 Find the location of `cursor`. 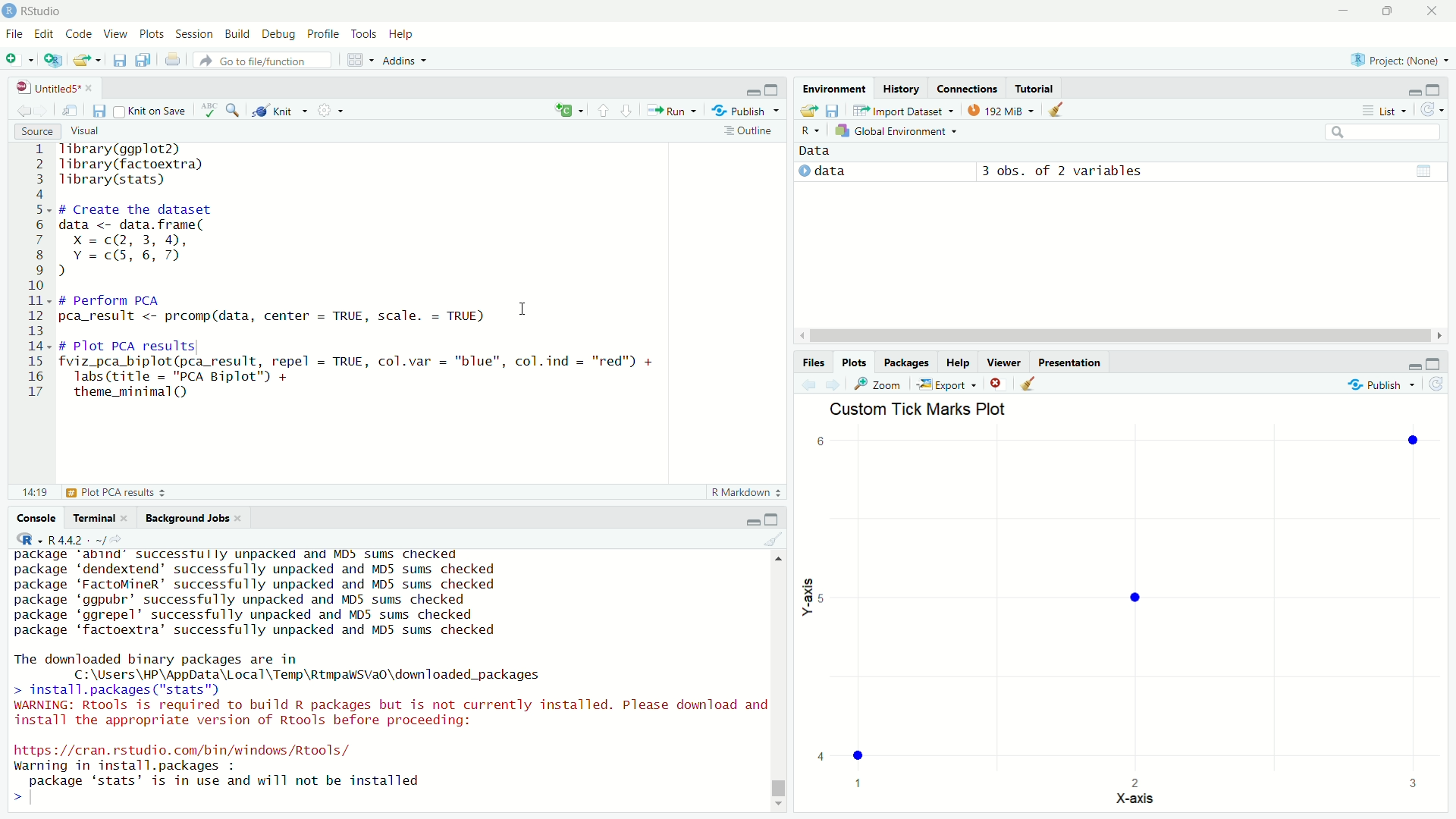

cursor is located at coordinates (526, 308).